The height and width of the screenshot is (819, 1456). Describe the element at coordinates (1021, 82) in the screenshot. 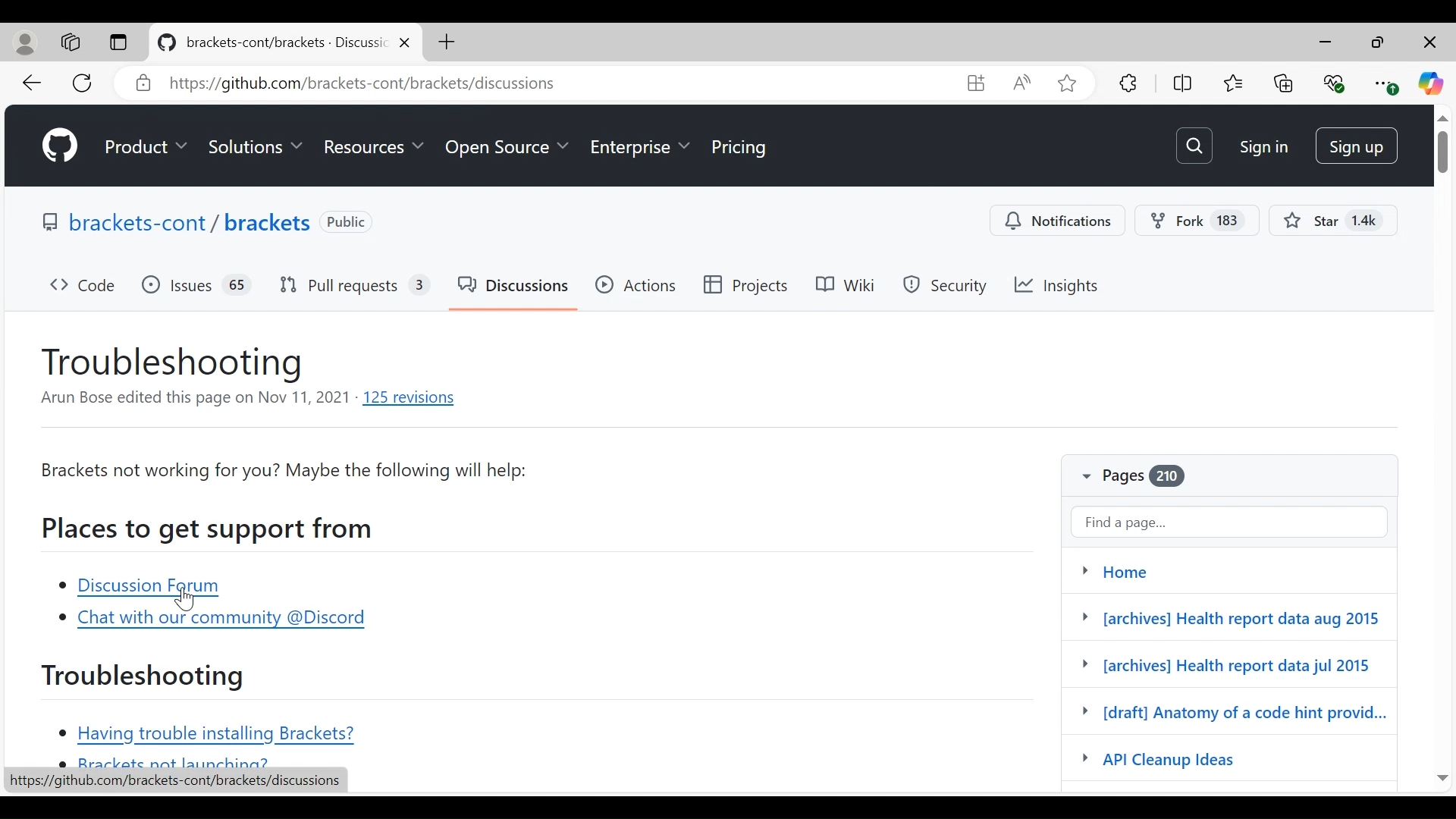

I see `Read aloud this page` at that location.